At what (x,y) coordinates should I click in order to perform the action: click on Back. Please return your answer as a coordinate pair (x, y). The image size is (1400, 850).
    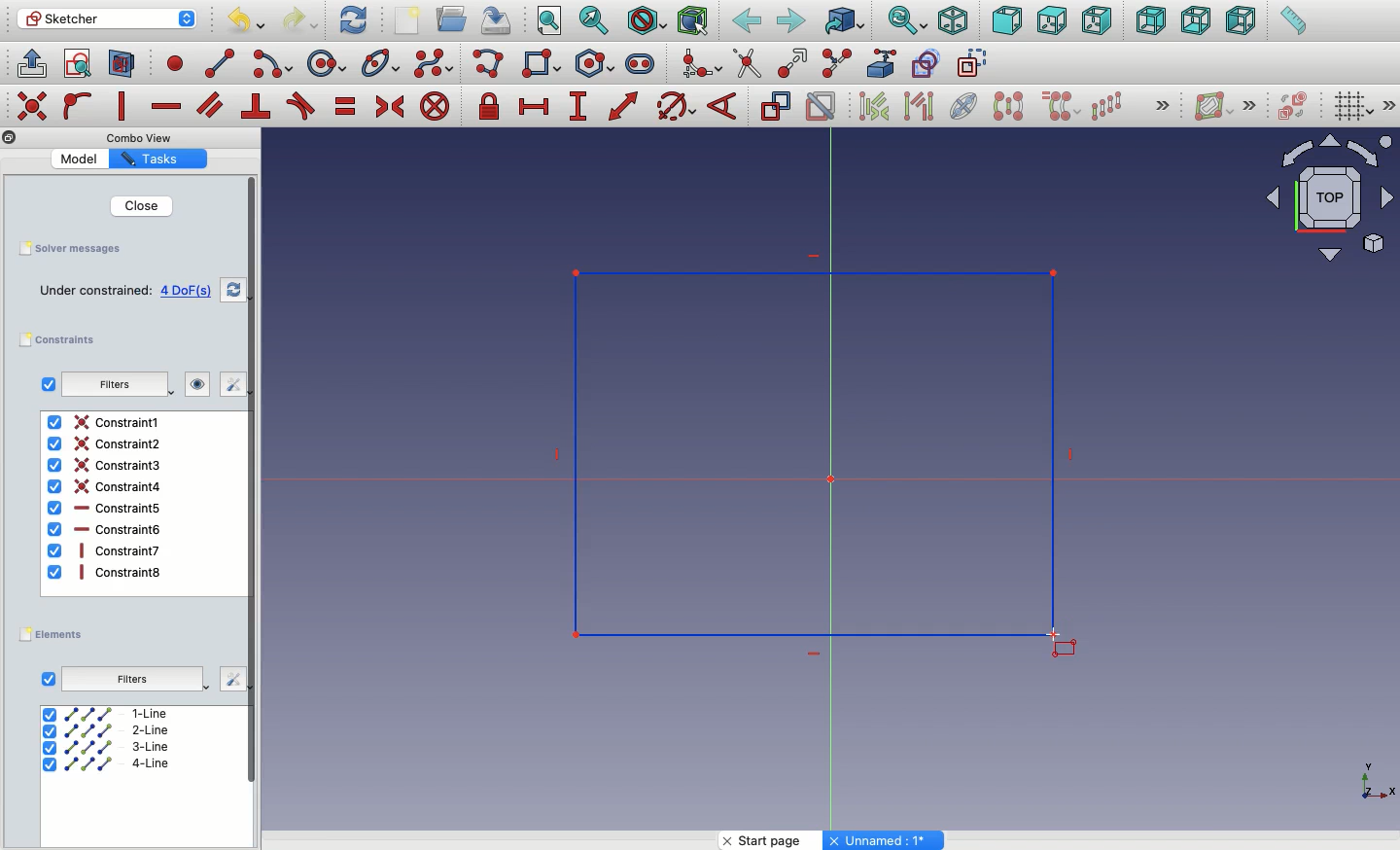
    Looking at the image, I should click on (1152, 20).